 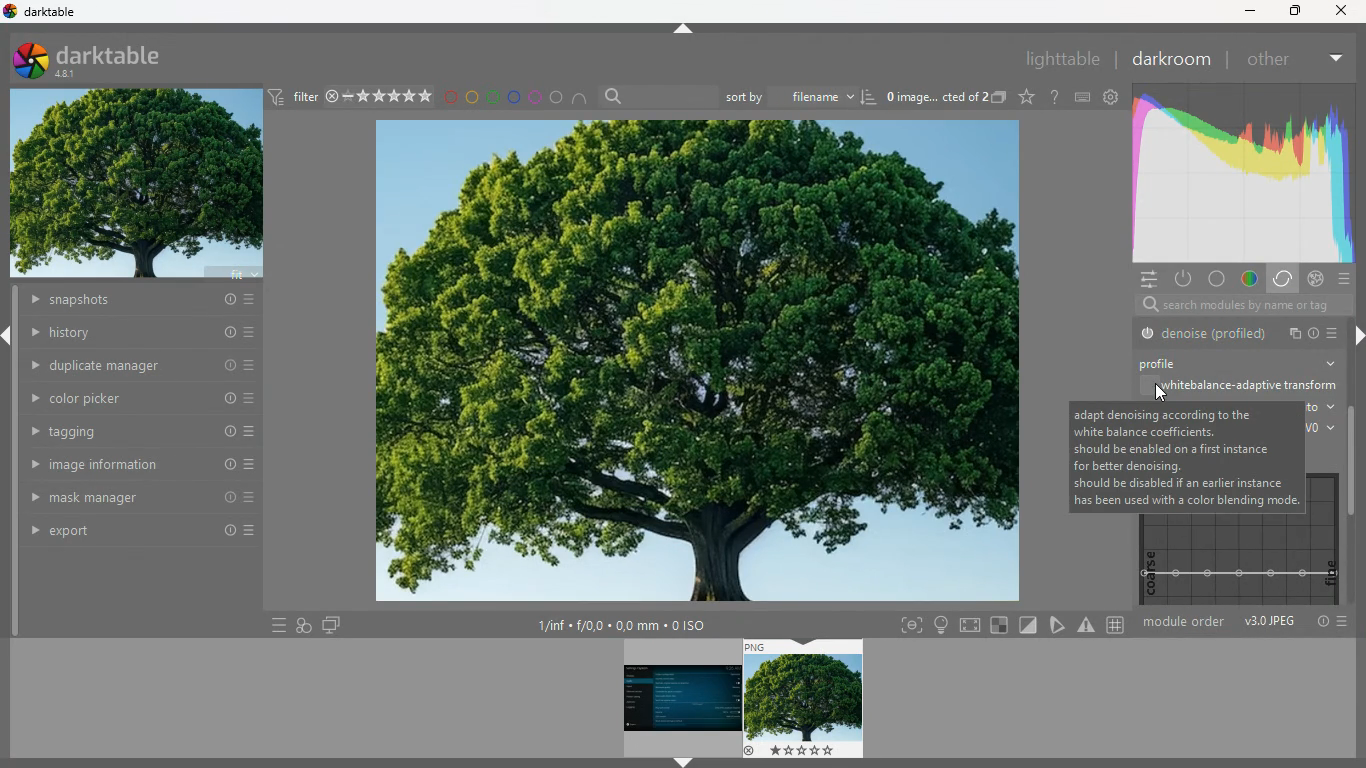 What do you see at coordinates (132, 494) in the screenshot?
I see `mask manager` at bounding box center [132, 494].